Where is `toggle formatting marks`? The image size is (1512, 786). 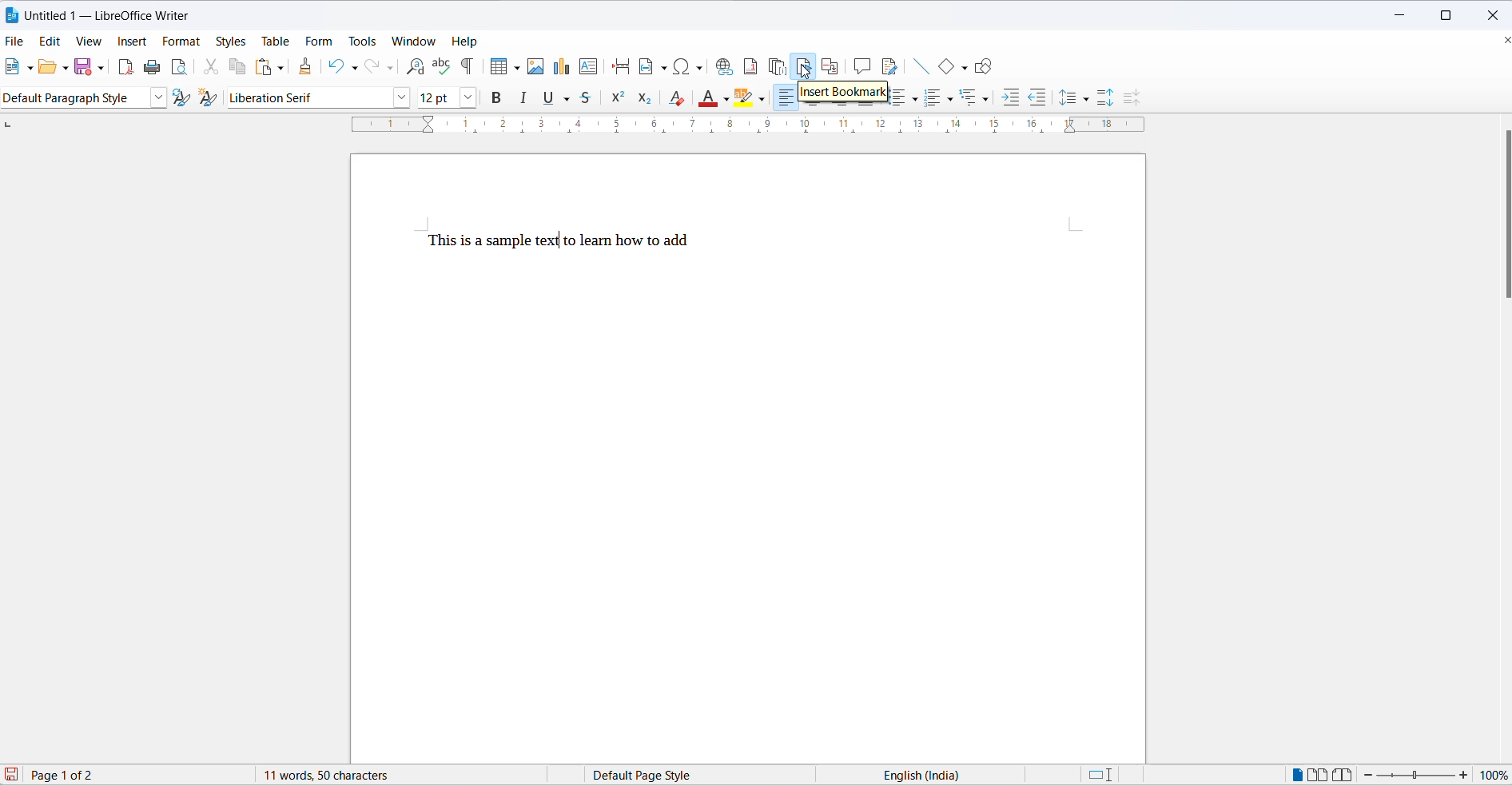
toggle formatting marks is located at coordinates (468, 65).